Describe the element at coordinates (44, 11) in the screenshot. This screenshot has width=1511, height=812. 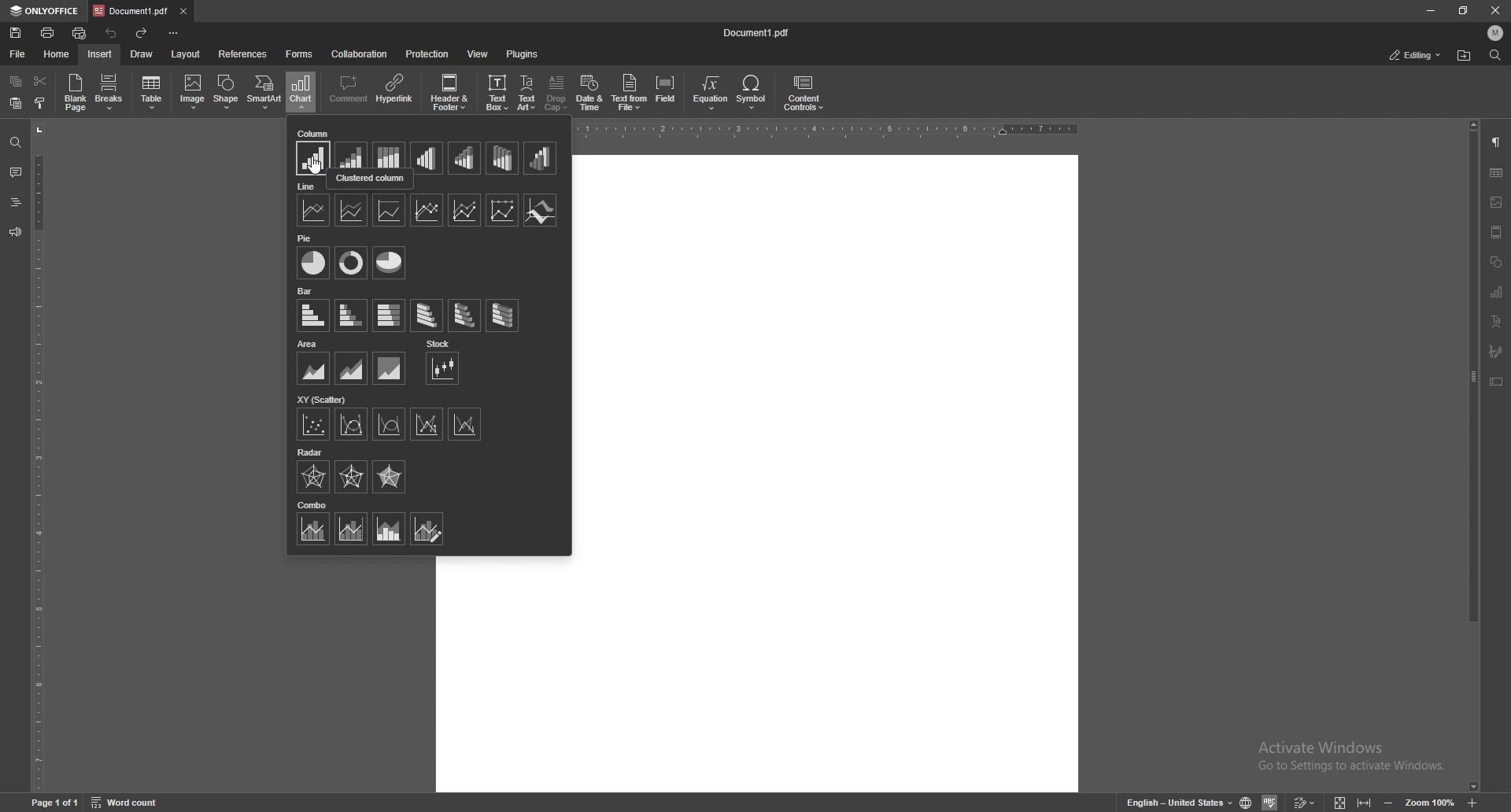
I see `onlyoffice` at that location.